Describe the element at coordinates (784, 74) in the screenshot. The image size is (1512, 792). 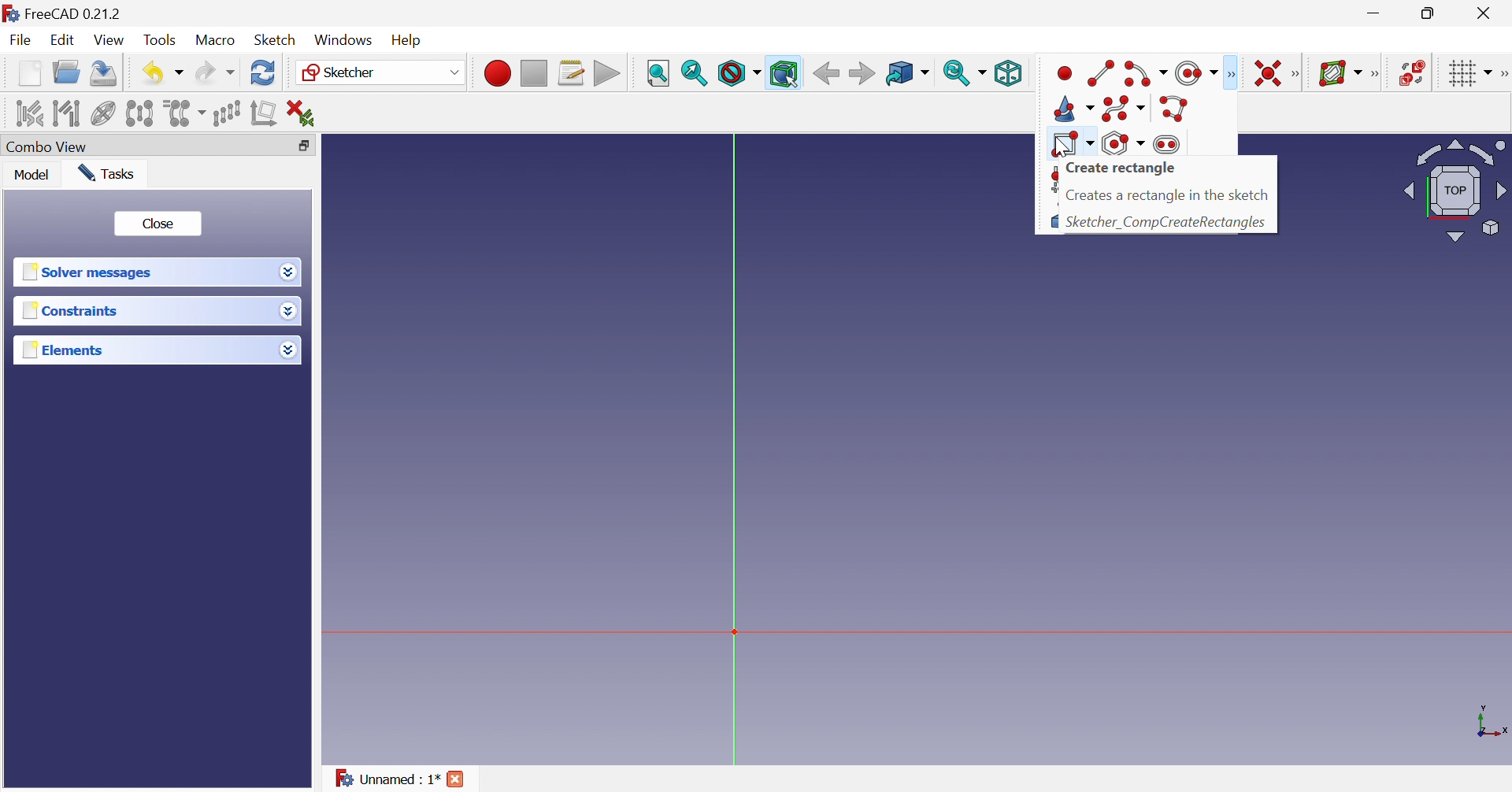
I see `Bounding box` at that location.